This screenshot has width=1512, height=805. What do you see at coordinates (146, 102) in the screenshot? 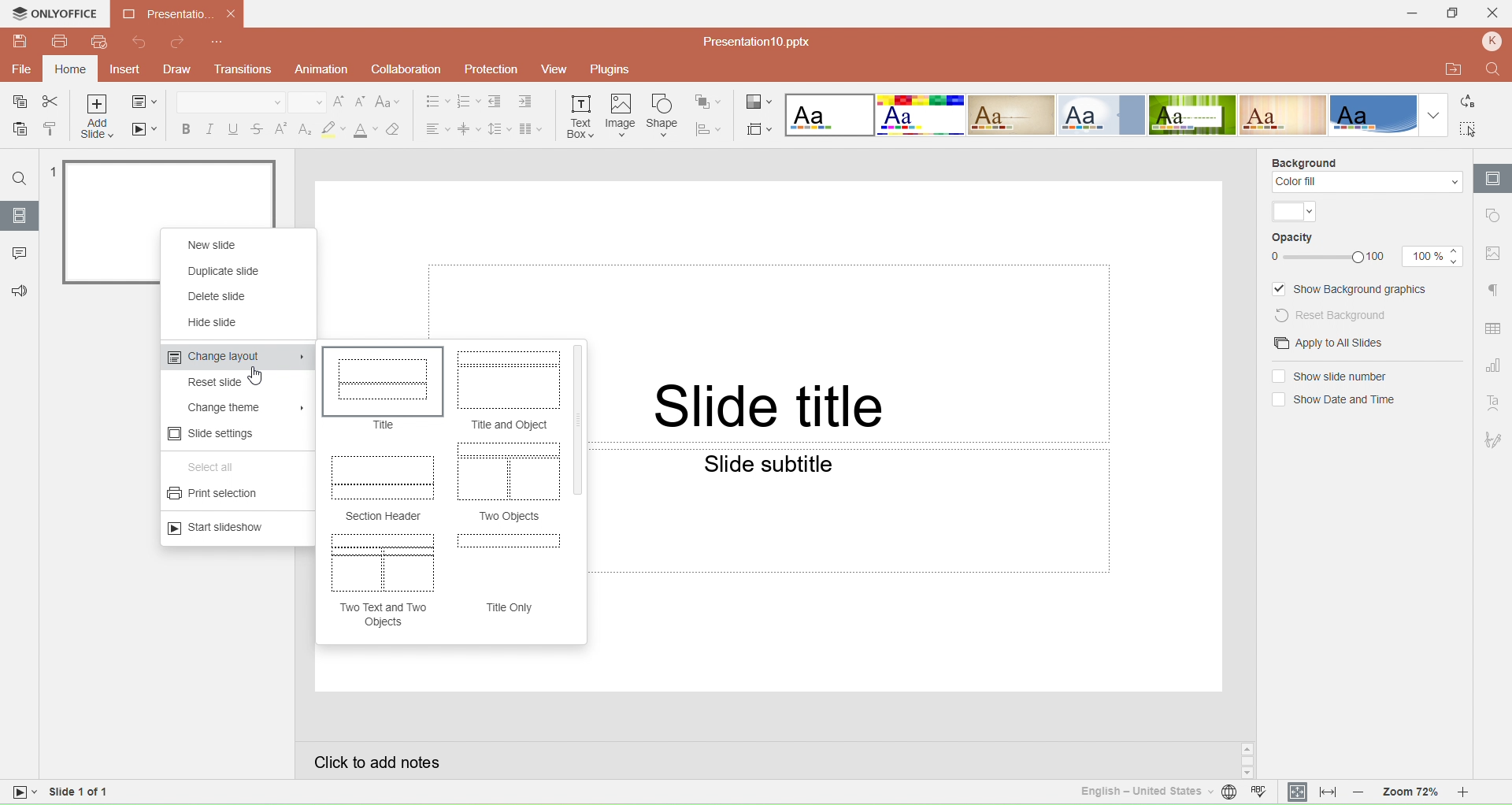
I see `Change slide layout` at bounding box center [146, 102].